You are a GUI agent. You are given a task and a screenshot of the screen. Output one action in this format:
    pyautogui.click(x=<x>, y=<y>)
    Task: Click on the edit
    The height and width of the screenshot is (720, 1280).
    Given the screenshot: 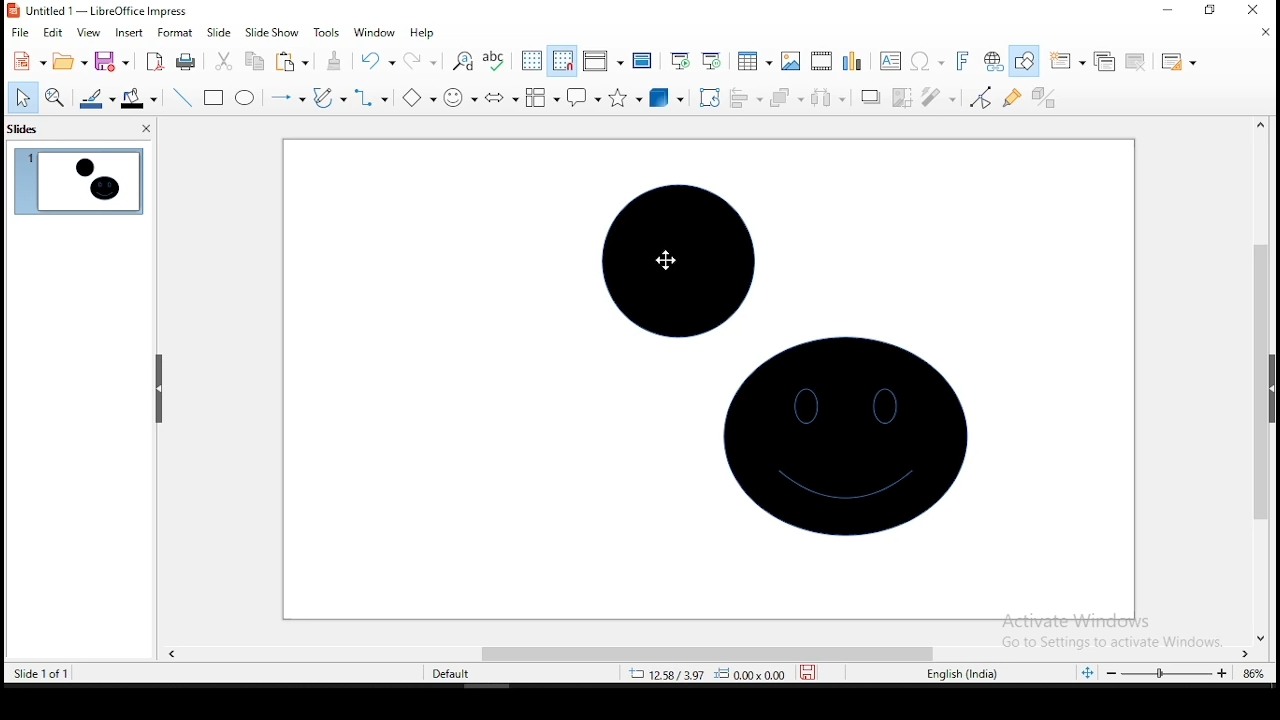 What is the action you would take?
    pyautogui.click(x=55, y=33)
    